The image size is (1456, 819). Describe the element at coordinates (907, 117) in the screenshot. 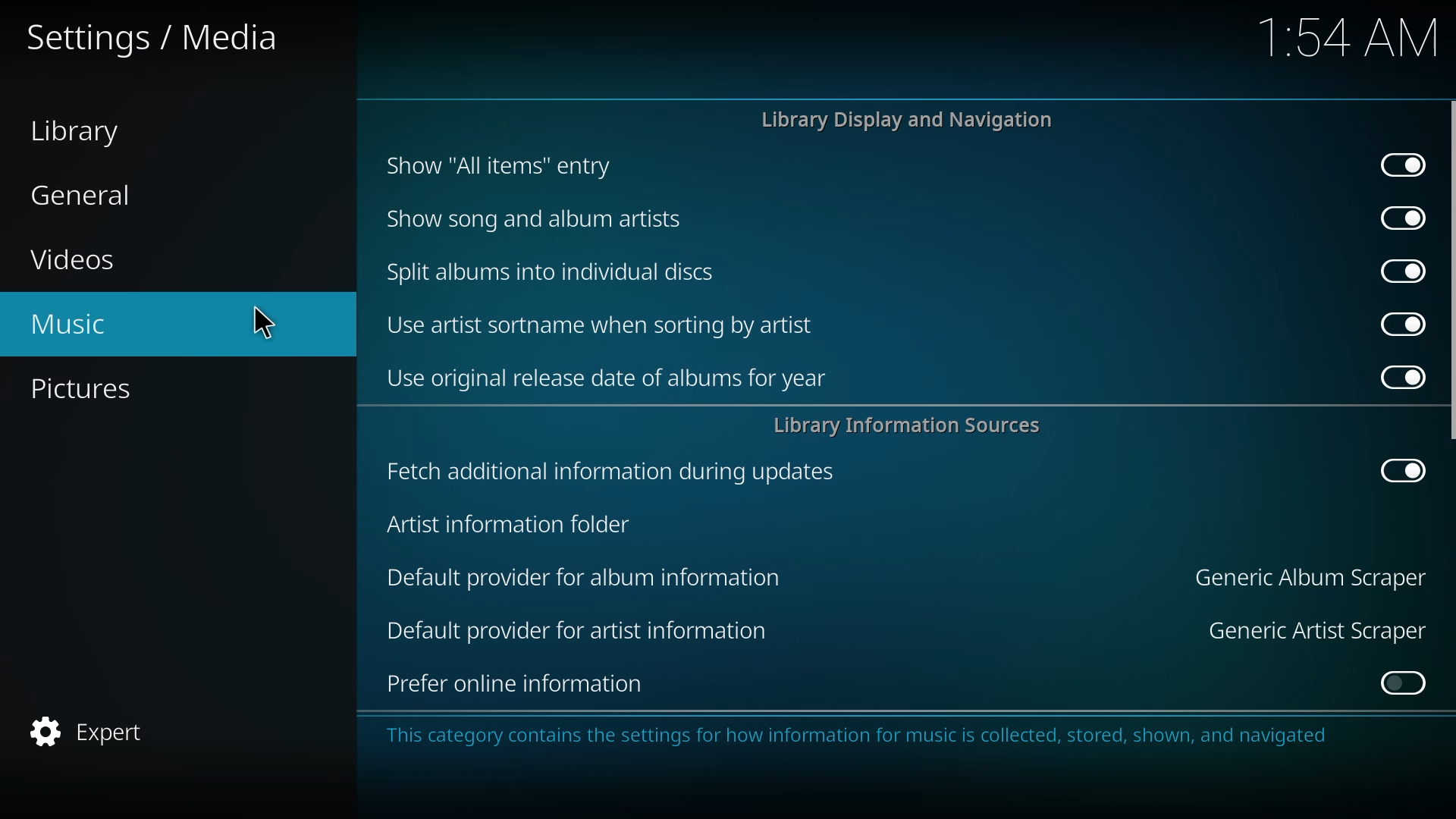

I see `library display and navigation` at that location.